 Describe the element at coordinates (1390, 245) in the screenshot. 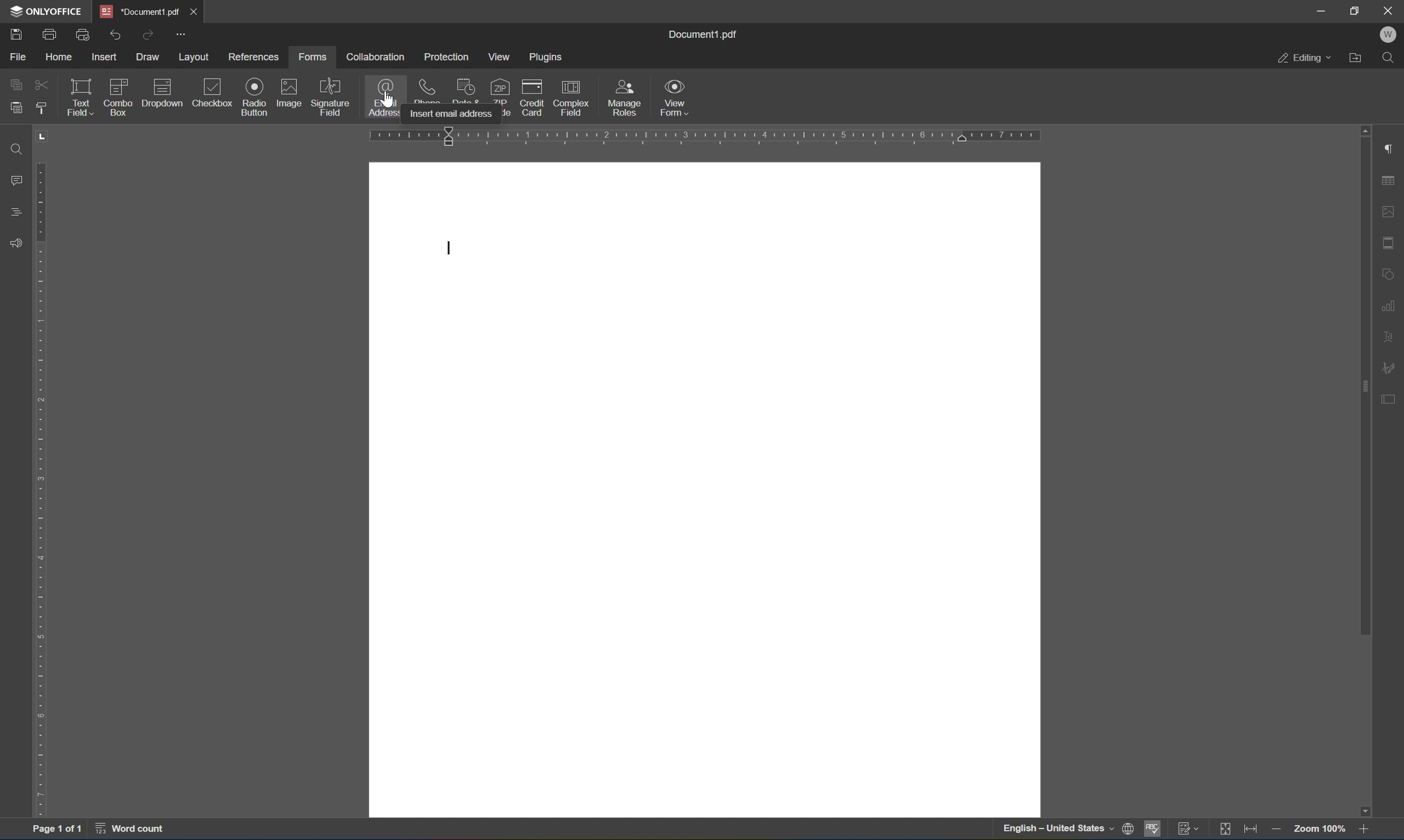

I see `header & footer settings` at that location.